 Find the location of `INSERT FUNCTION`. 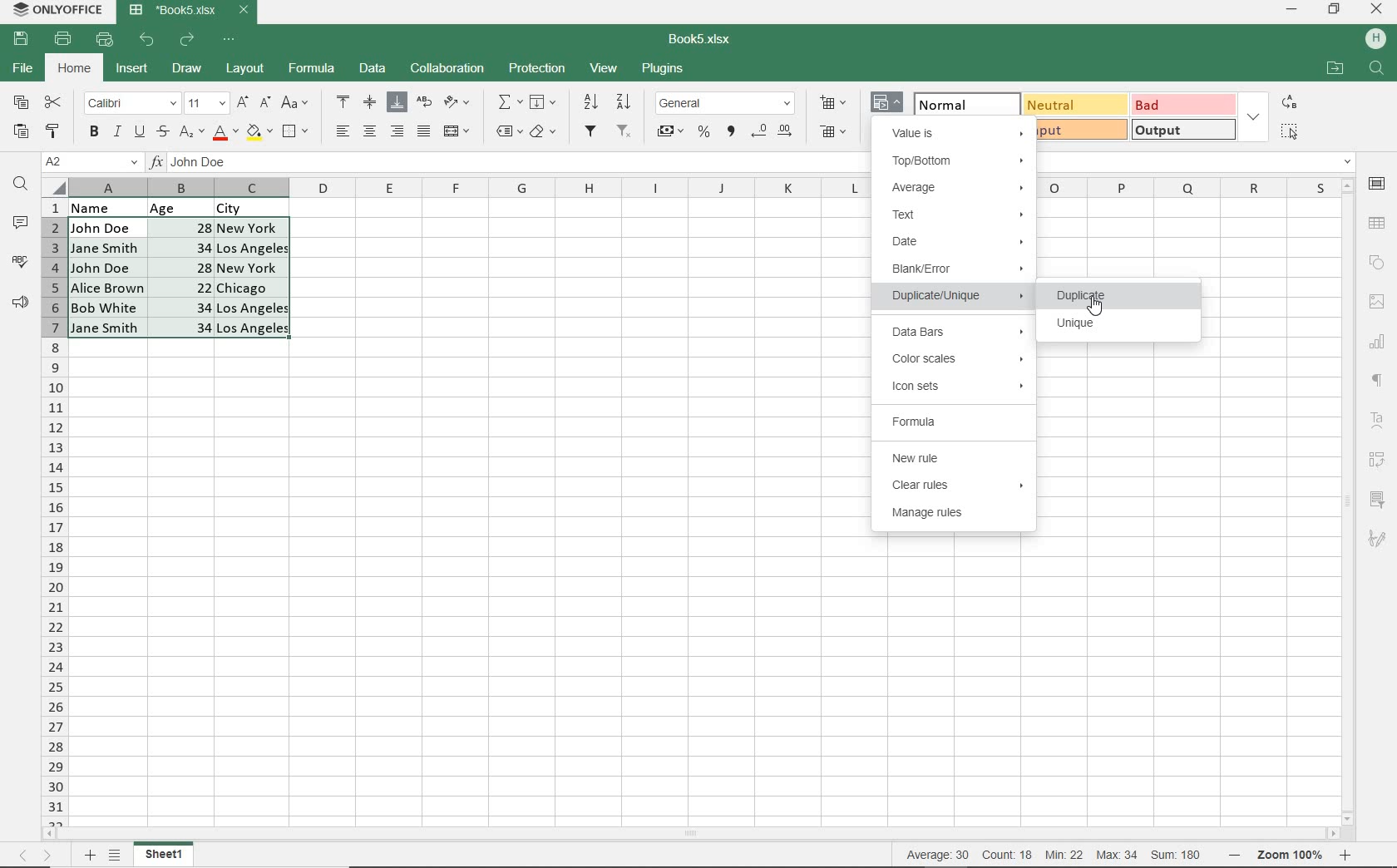

INSERT FUNCTION is located at coordinates (510, 101).